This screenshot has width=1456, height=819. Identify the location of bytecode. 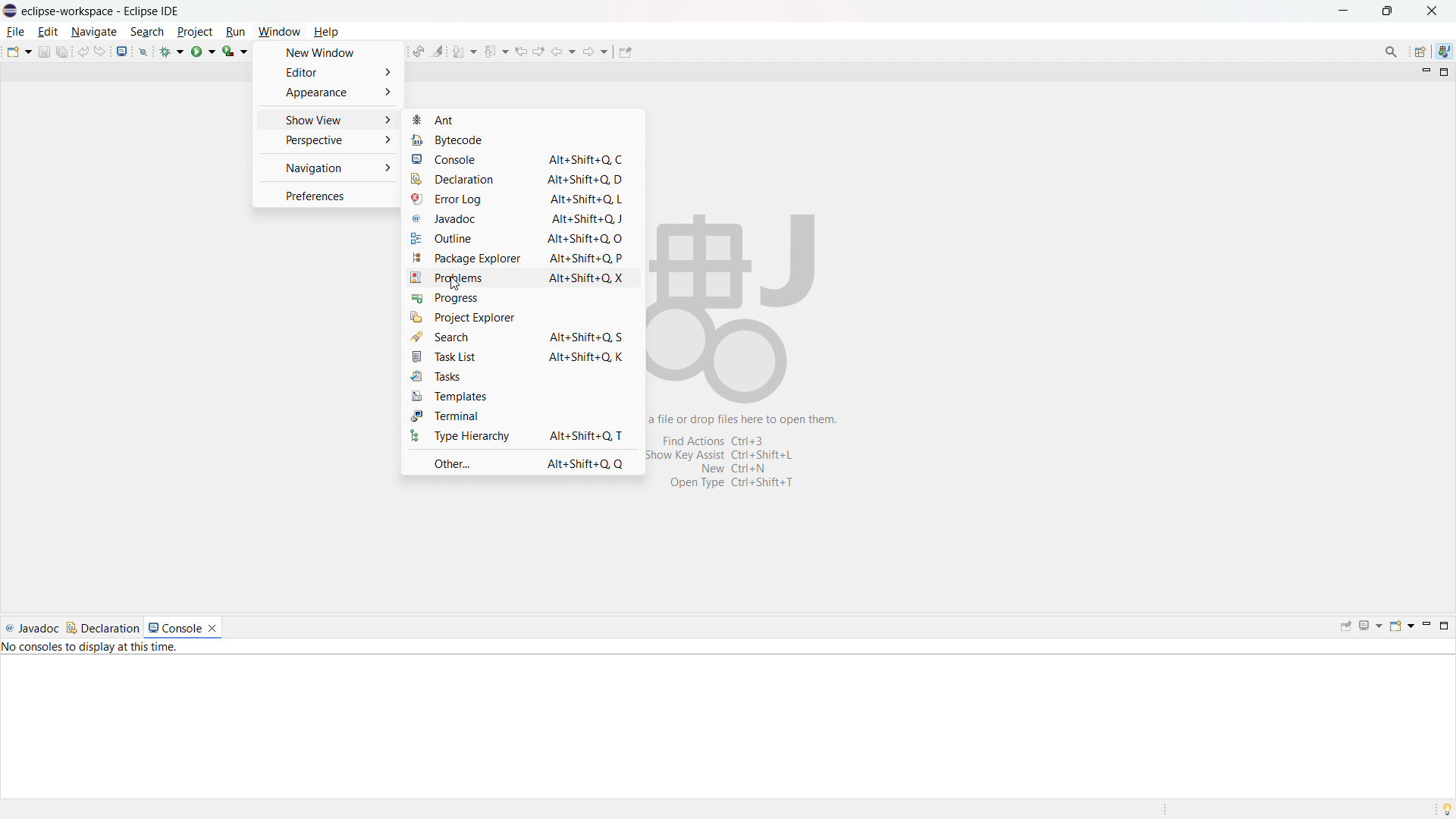
(522, 140).